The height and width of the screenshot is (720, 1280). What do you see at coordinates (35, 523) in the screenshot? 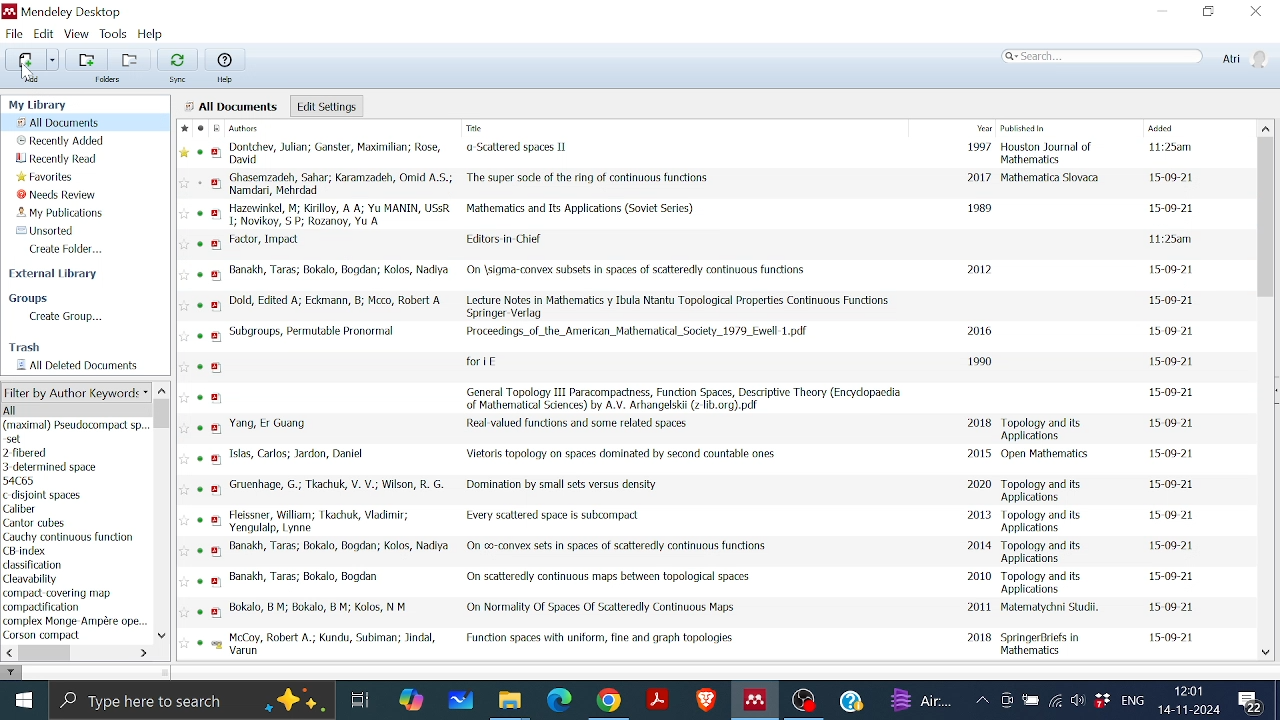
I see `author` at bounding box center [35, 523].